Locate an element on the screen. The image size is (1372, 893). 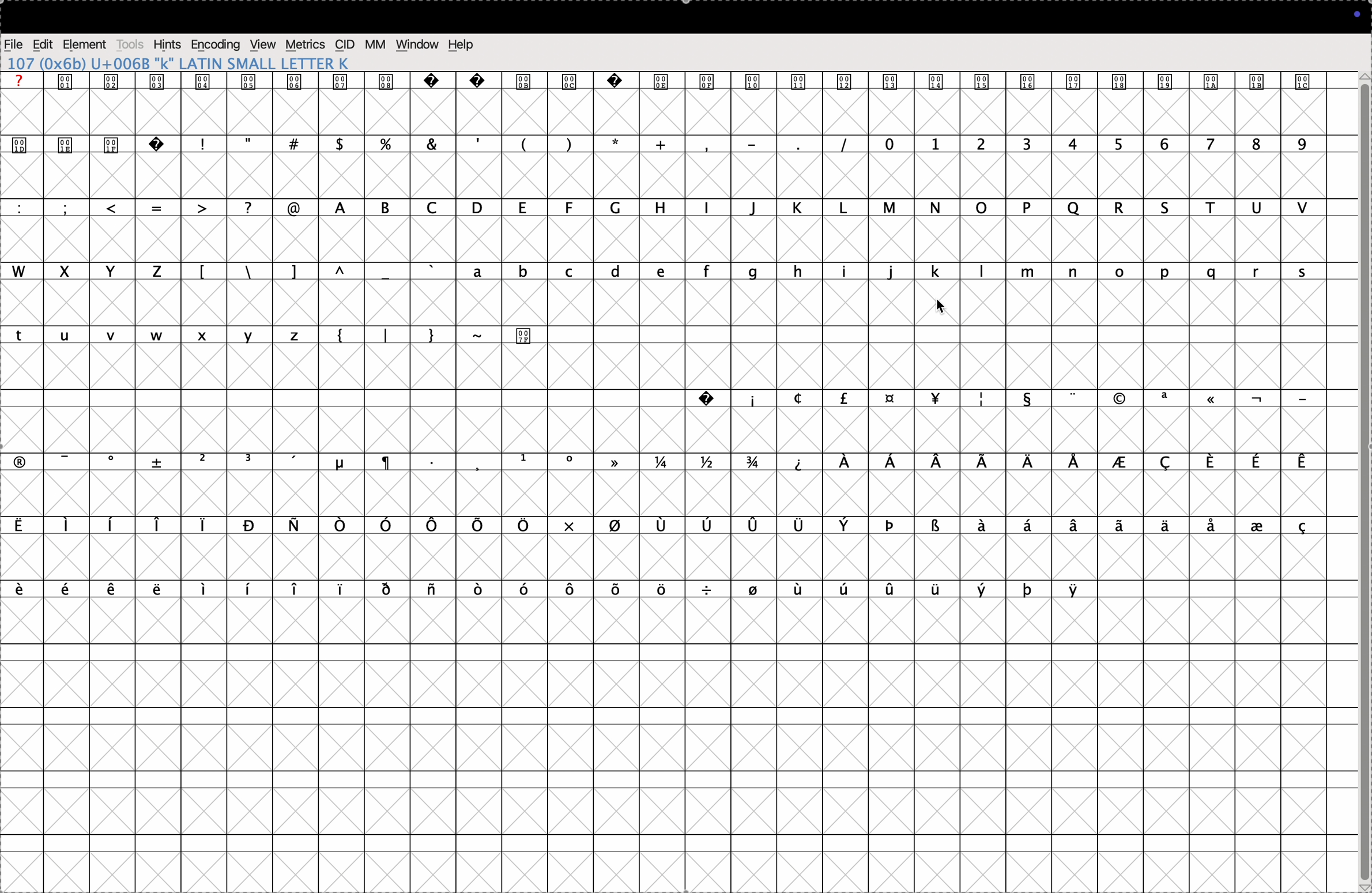
u is located at coordinates (66, 335).